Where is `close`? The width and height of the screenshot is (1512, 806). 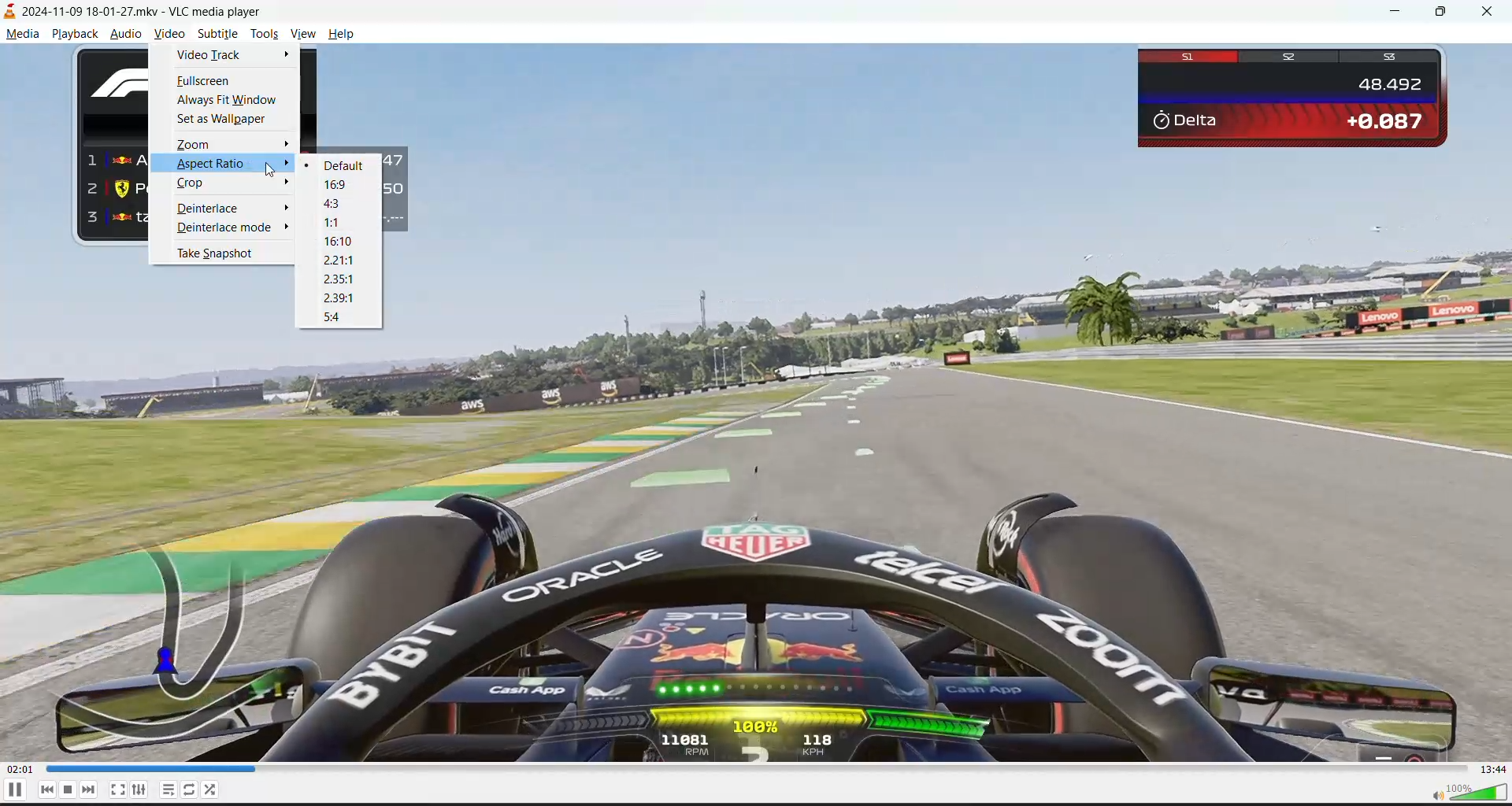
close is located at coordinates (1483, 13).